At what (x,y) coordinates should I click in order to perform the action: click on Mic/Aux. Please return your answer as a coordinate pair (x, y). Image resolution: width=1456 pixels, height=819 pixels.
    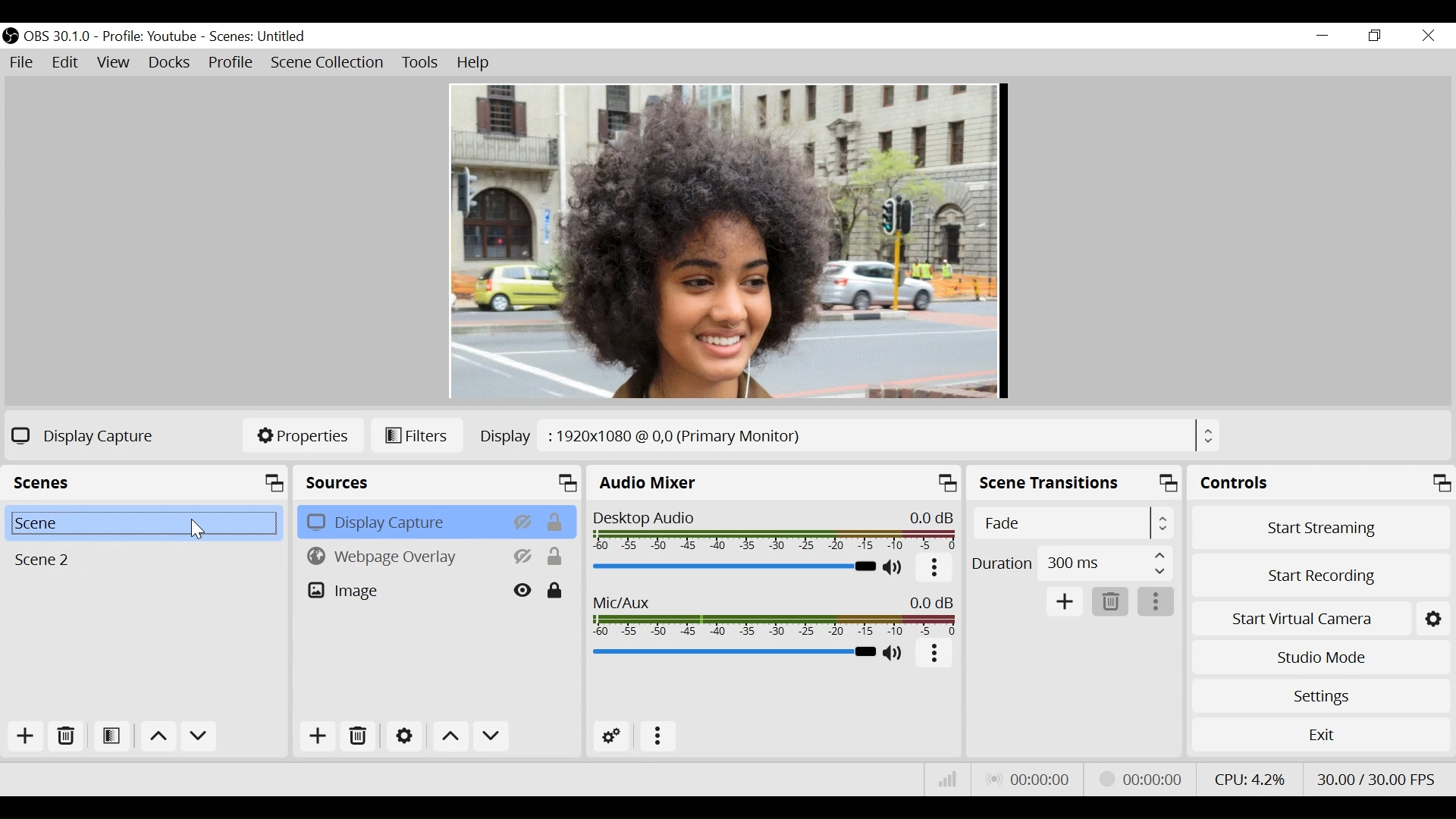
    Looking at the image, I should click on (773, 613).